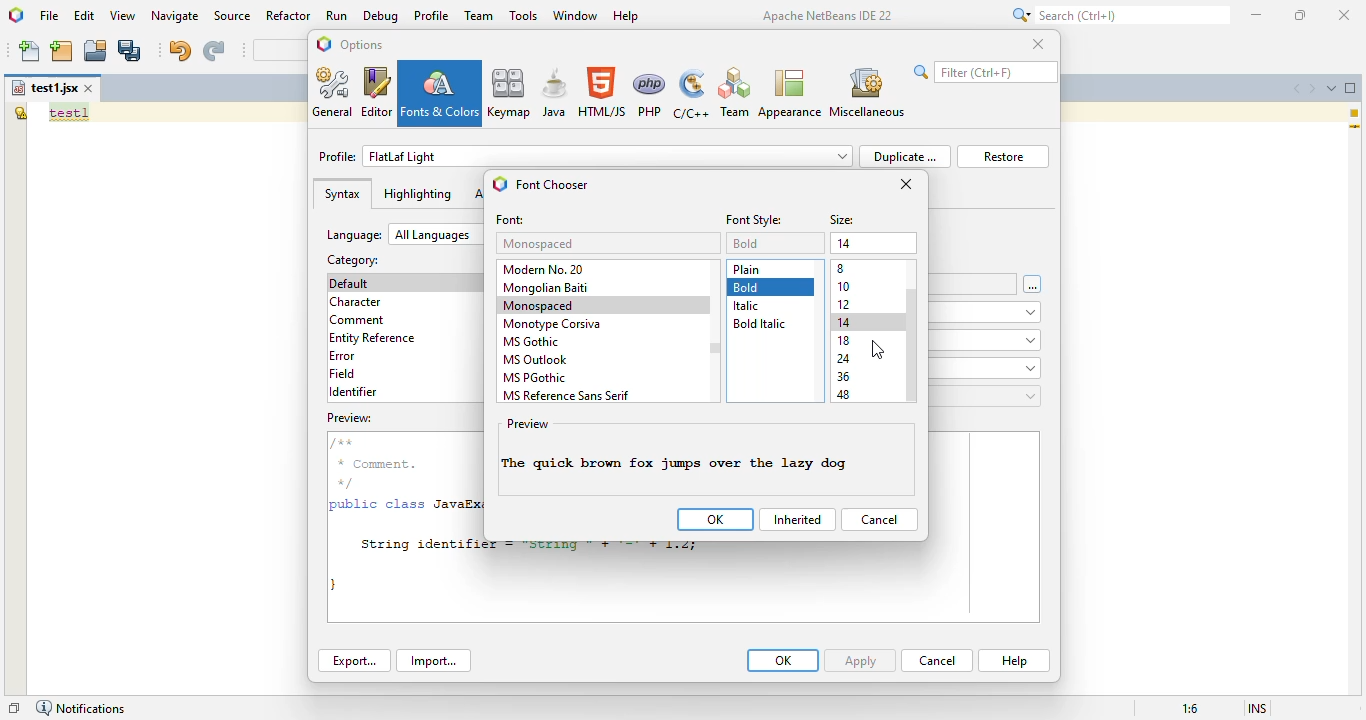  I want to click on bold italic, so click(758, 324).